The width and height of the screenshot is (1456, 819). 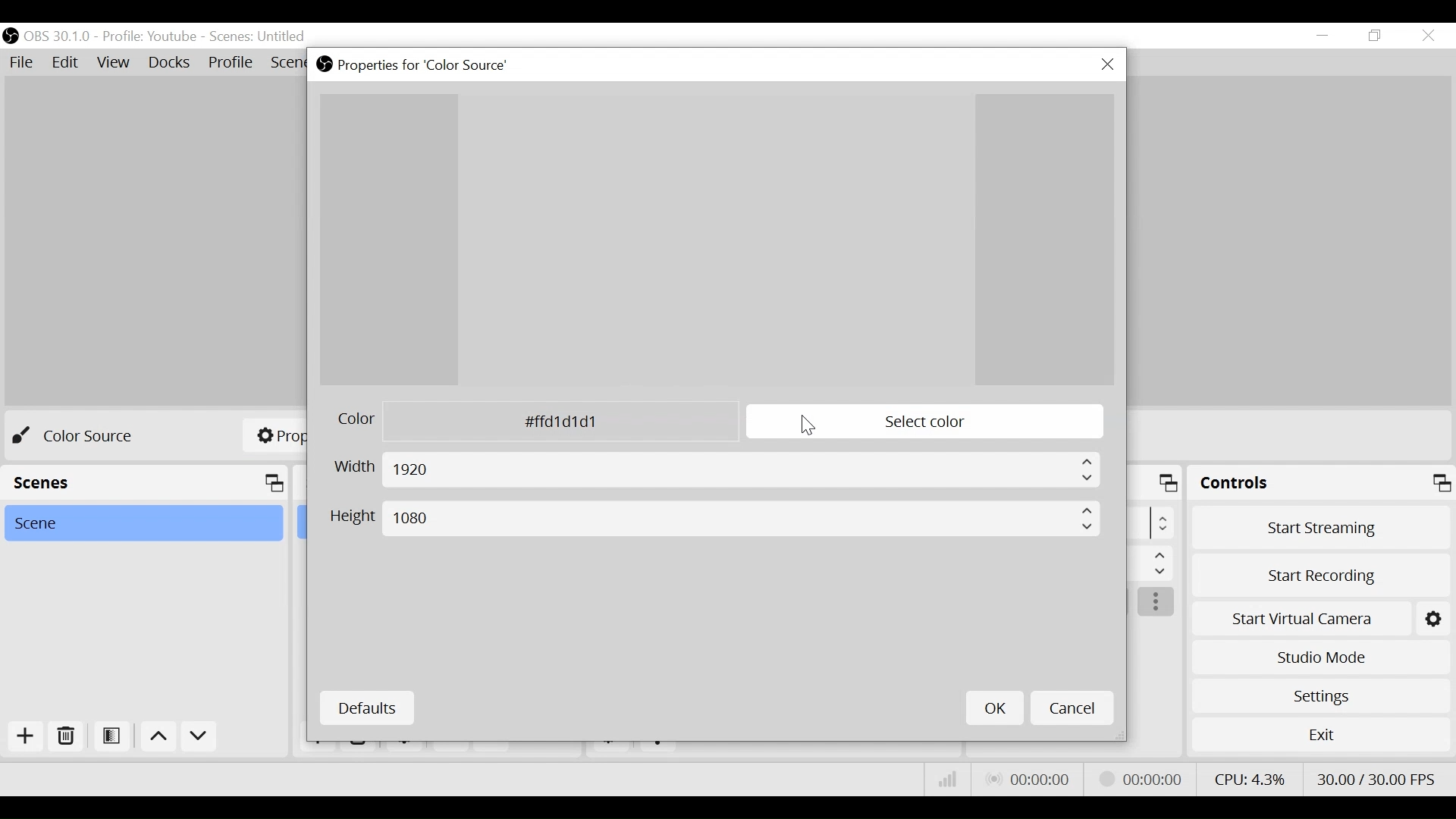 What do you see at coordinates (714, 470) in the screenshot?
I see `Width` at bounding box center [714, 470].